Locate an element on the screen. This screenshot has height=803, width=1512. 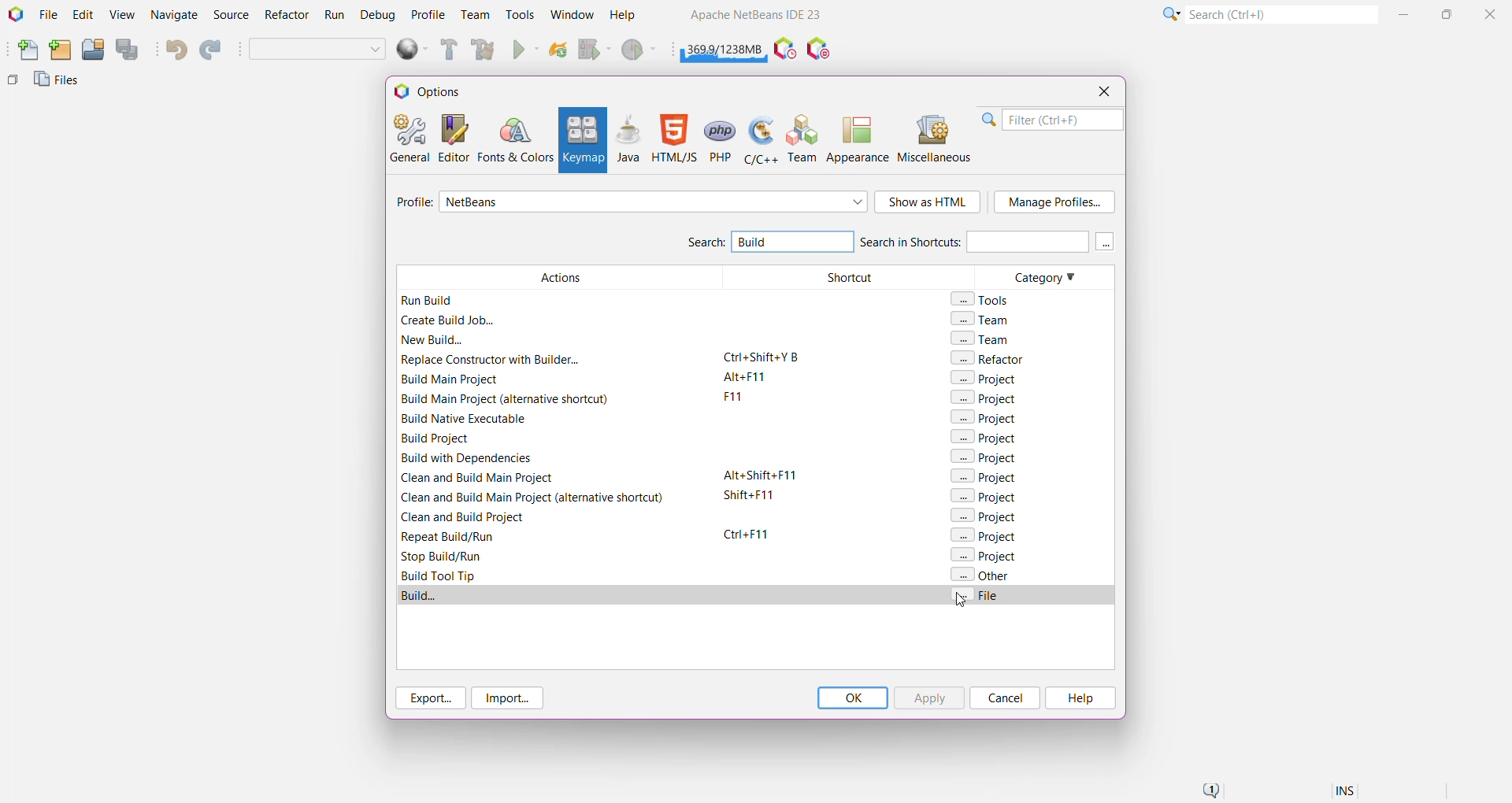
Minimize is located at coordinates (1406, 14).